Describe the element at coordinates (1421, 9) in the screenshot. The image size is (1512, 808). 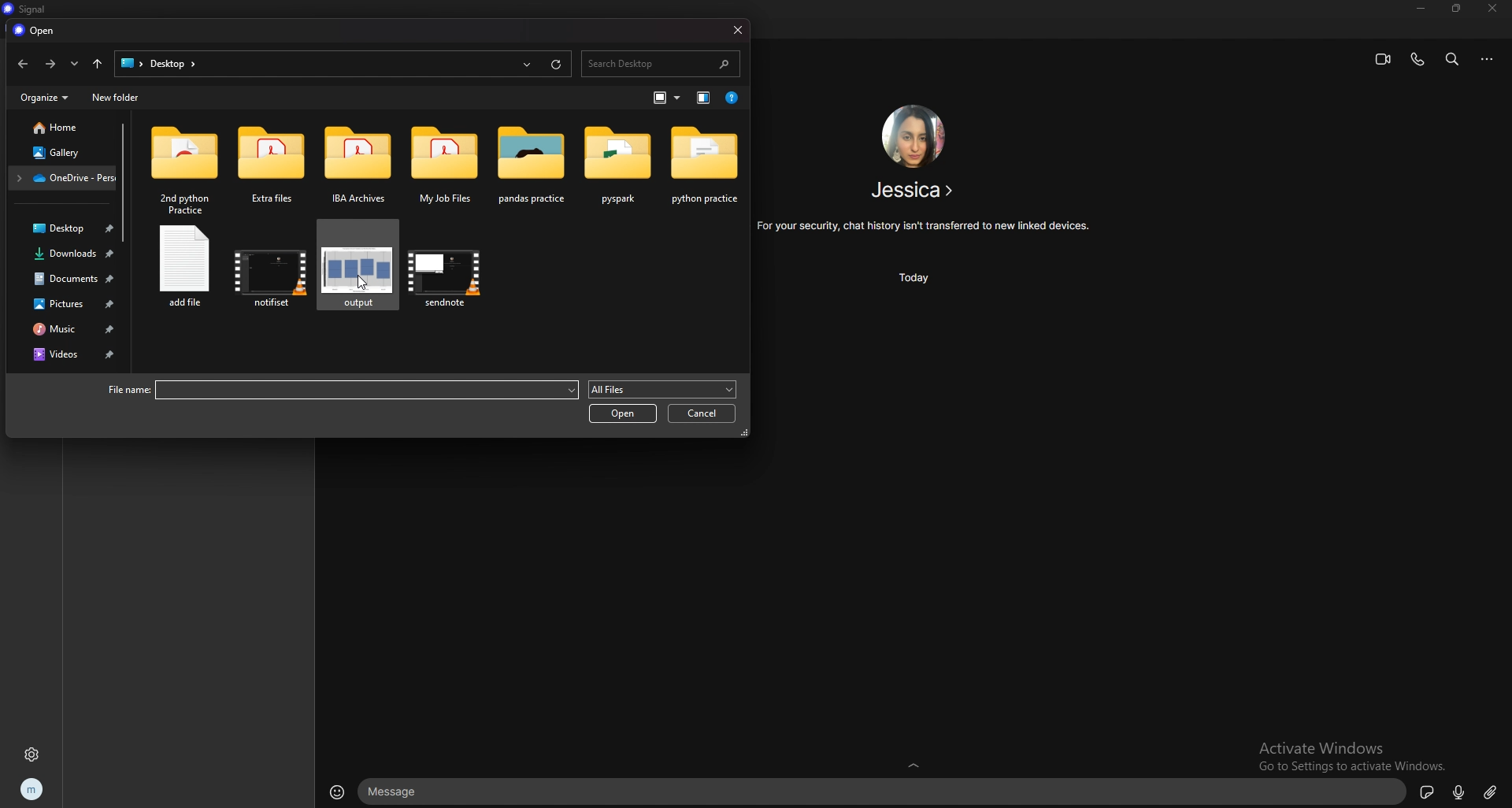
I see `minimize` at that location.